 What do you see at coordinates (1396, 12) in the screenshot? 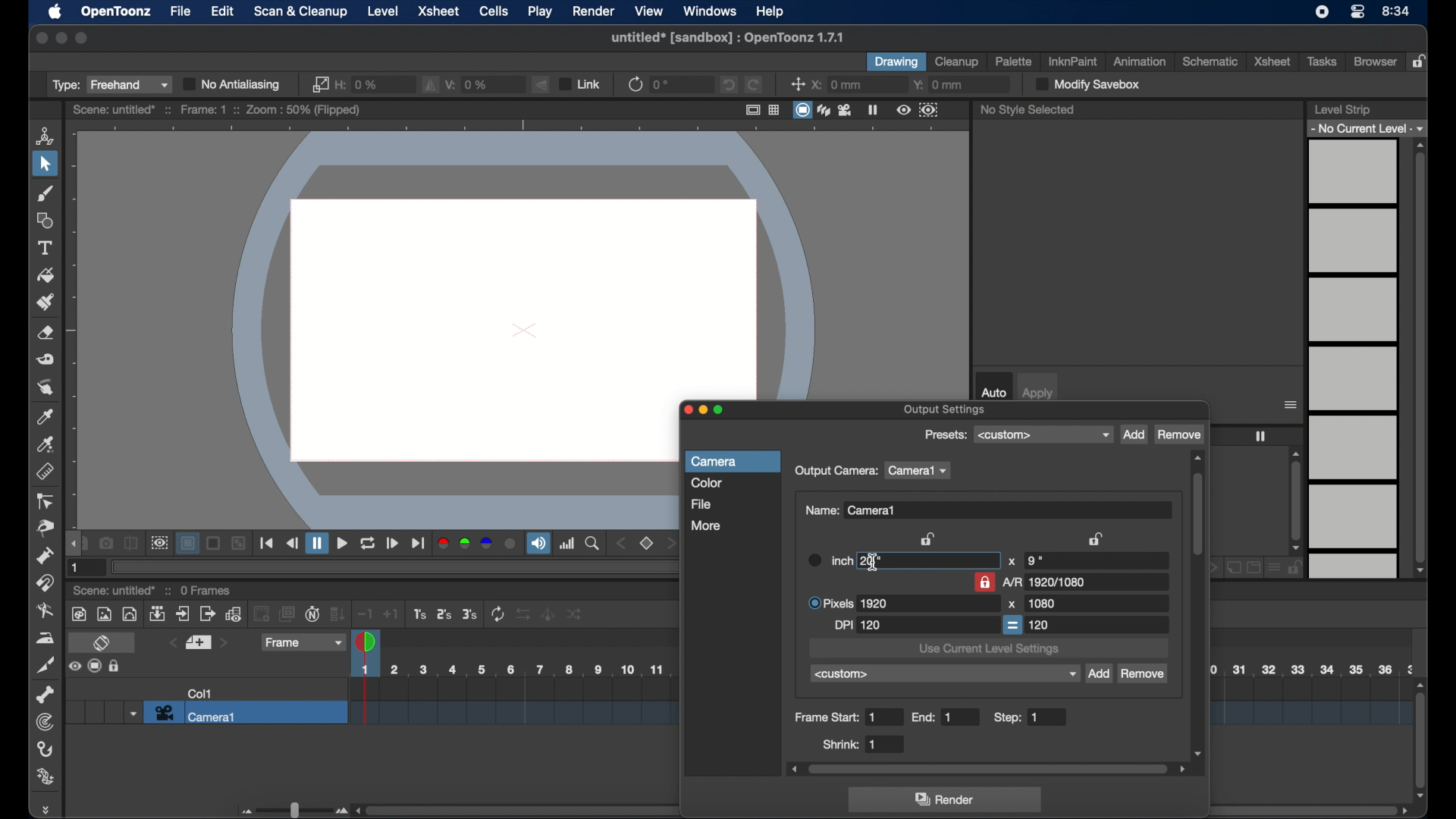
I see `time` at bounding box center [1396, 12].